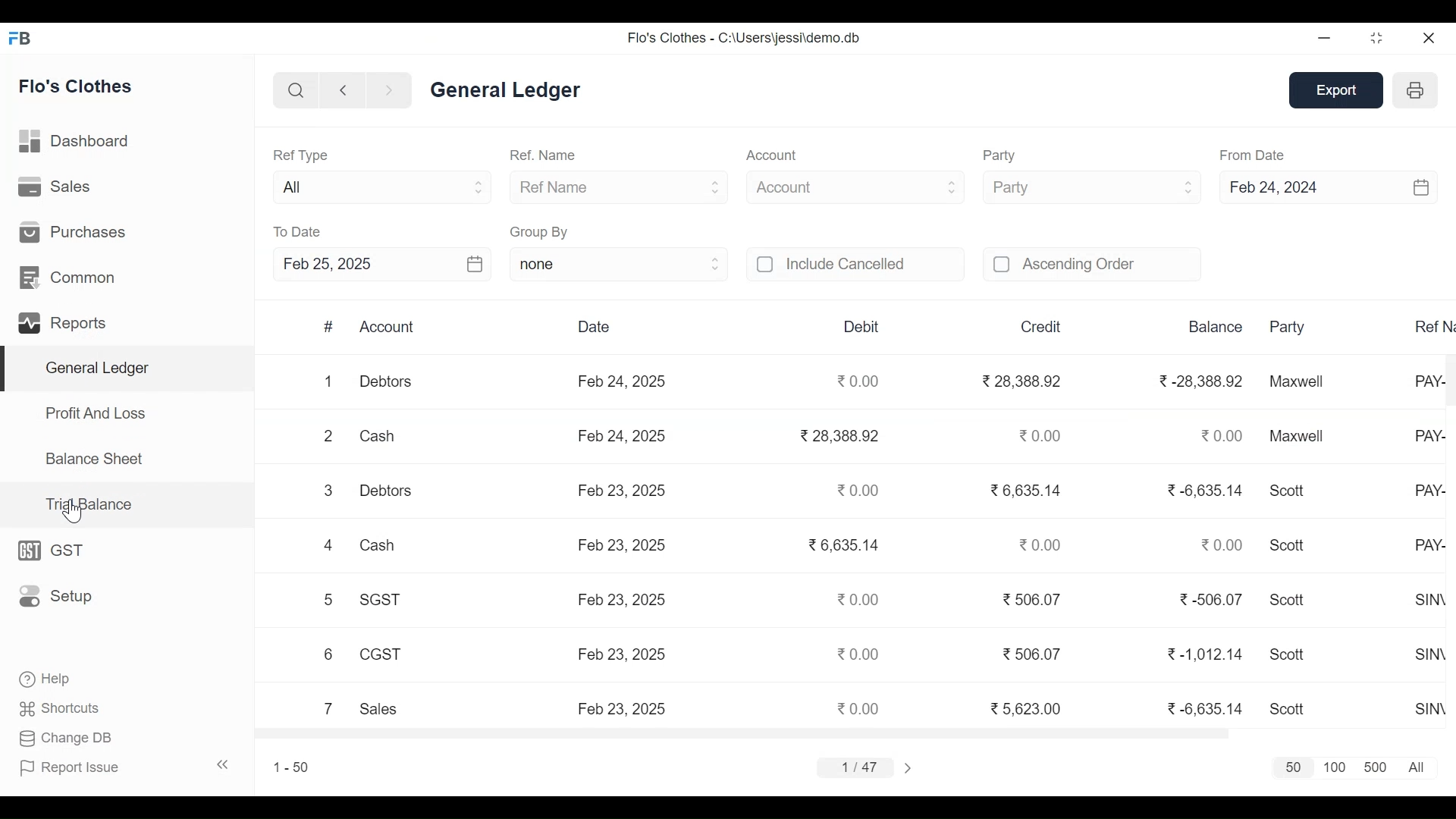  I want to click on PAY-, so click(1429, 545).